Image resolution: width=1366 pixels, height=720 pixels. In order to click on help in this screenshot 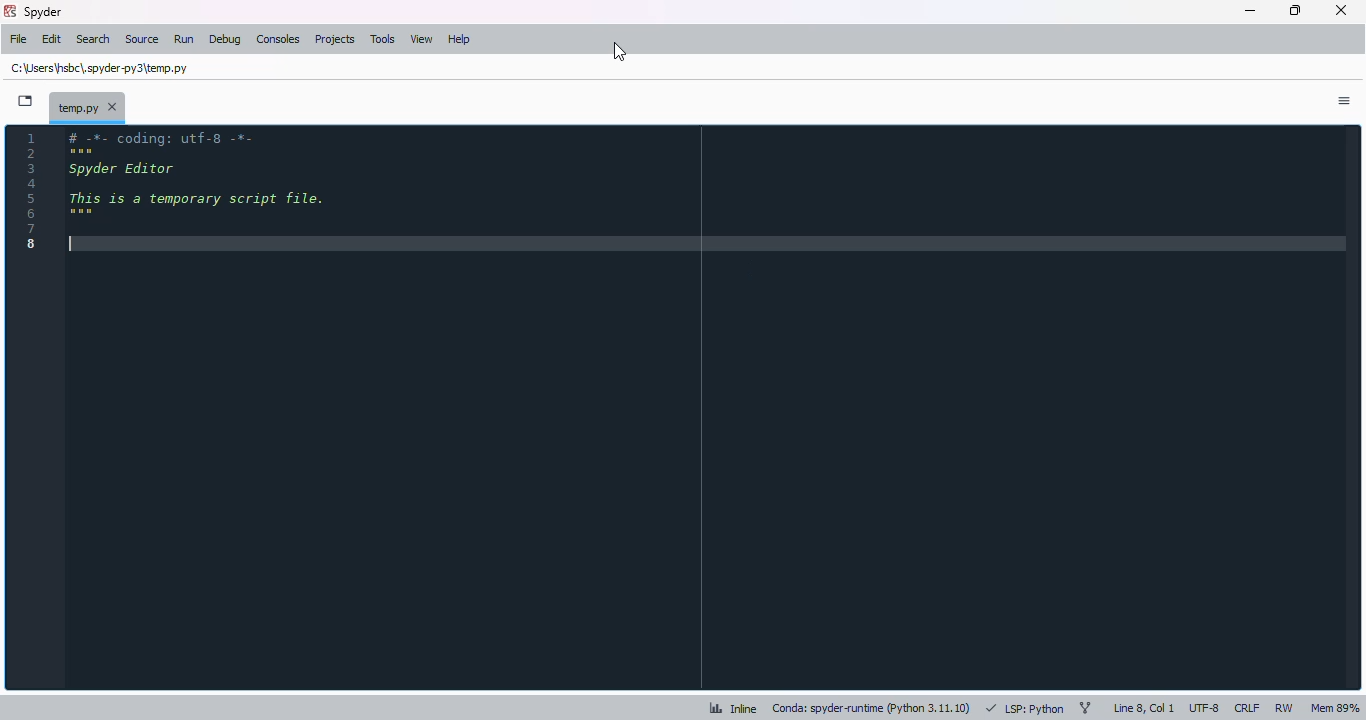, I will do `click(458, 40)`.